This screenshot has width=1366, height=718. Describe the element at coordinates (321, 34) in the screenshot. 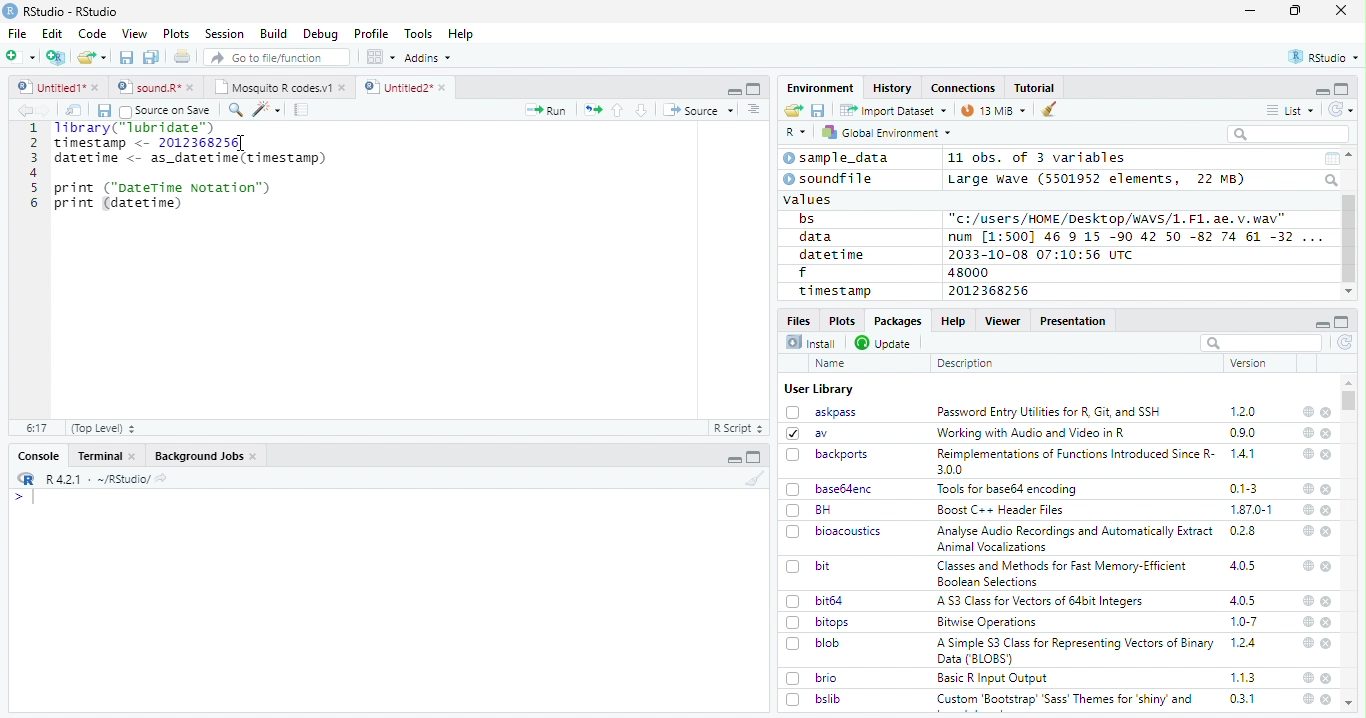

I see `Debug` at that location.